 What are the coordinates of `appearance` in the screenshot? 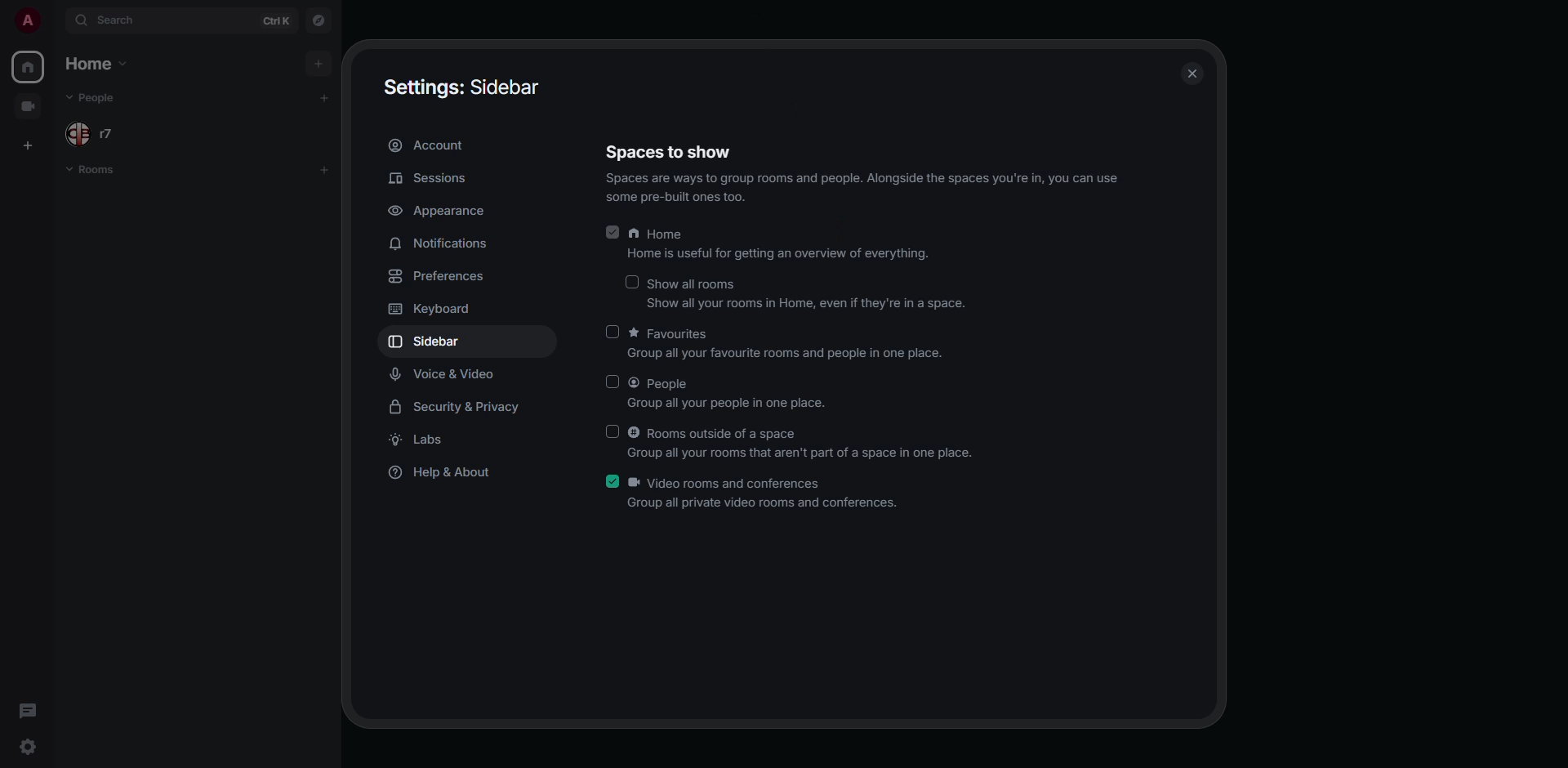 It's located at (446, 211).